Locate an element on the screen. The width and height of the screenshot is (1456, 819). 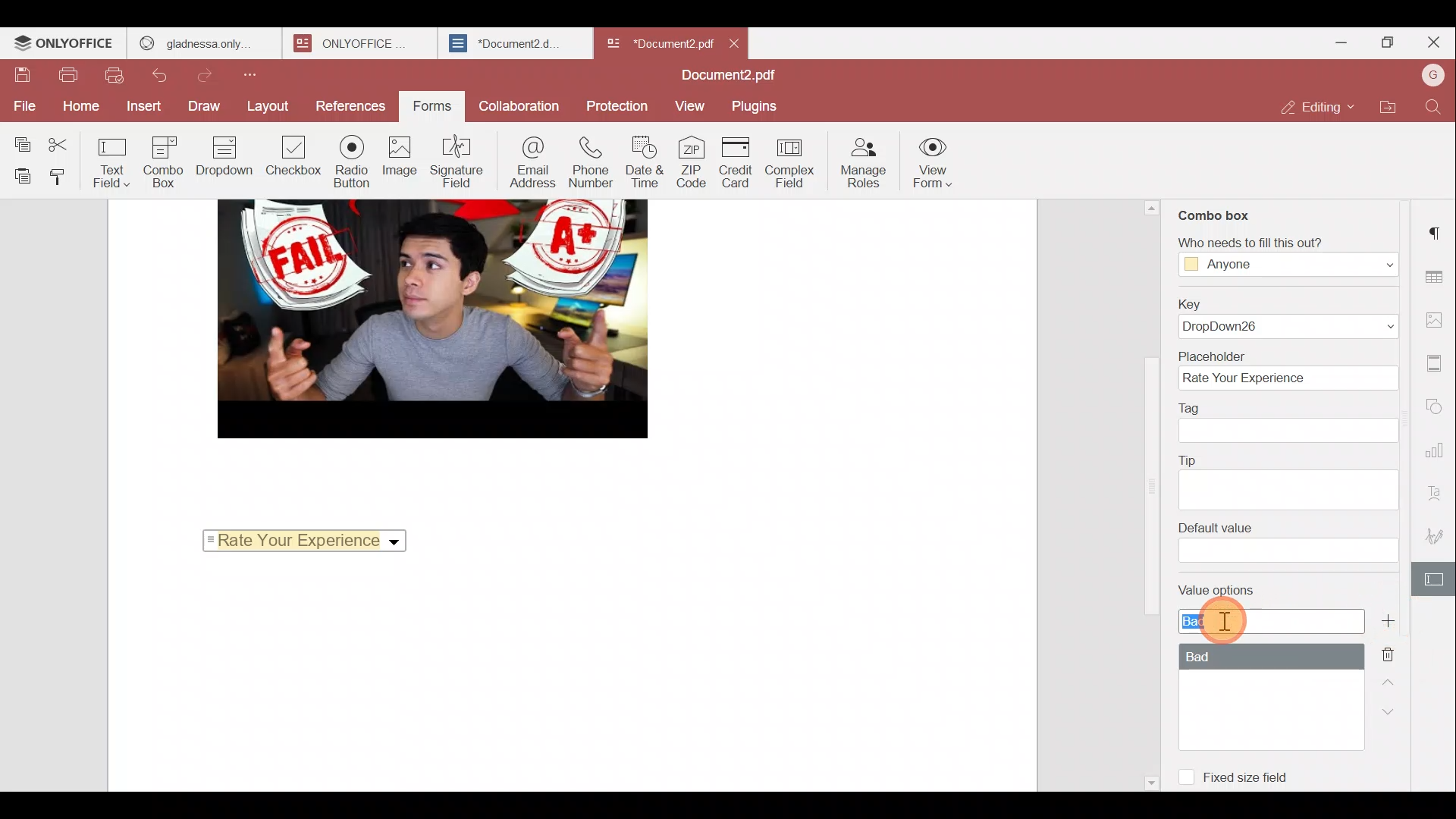
Maximize is located at coordinates (1383, 44).